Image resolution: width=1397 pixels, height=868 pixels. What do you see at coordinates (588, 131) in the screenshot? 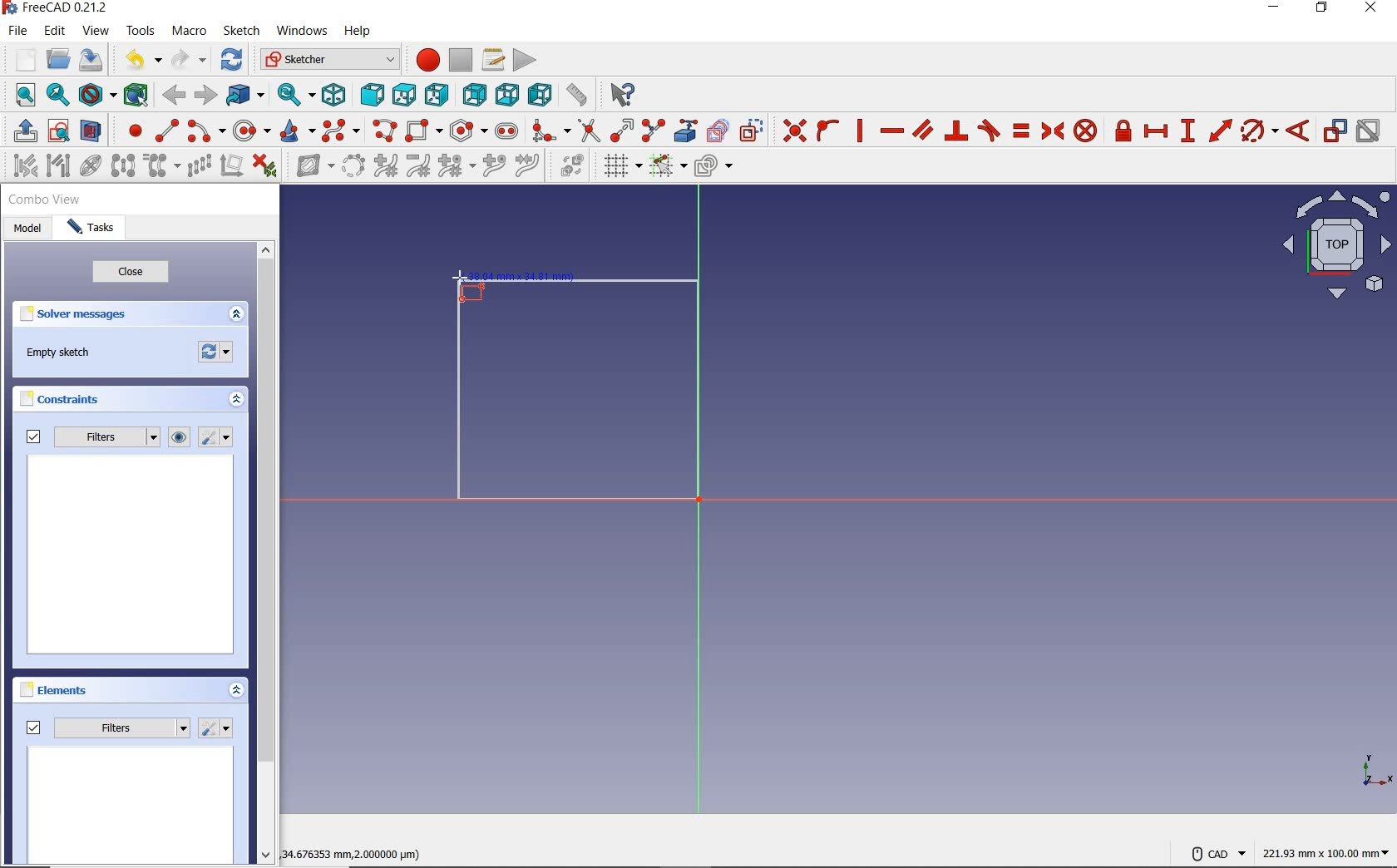
I see `trim edge` at bounding box center [588, 131].